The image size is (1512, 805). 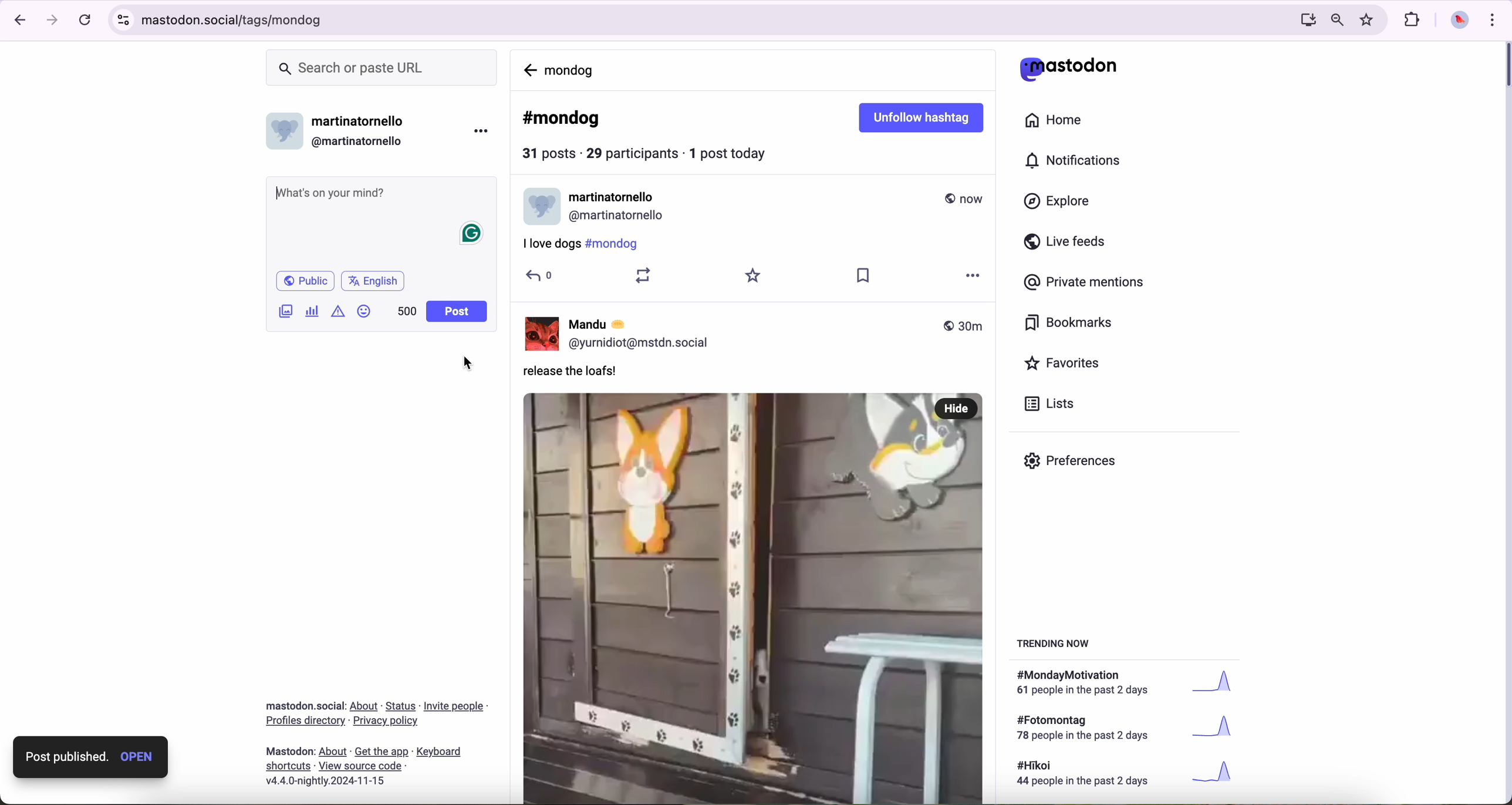 What do you see at coordinates (382, 753) in the screenshot?
I see `link` at bounding box center [382, 753].